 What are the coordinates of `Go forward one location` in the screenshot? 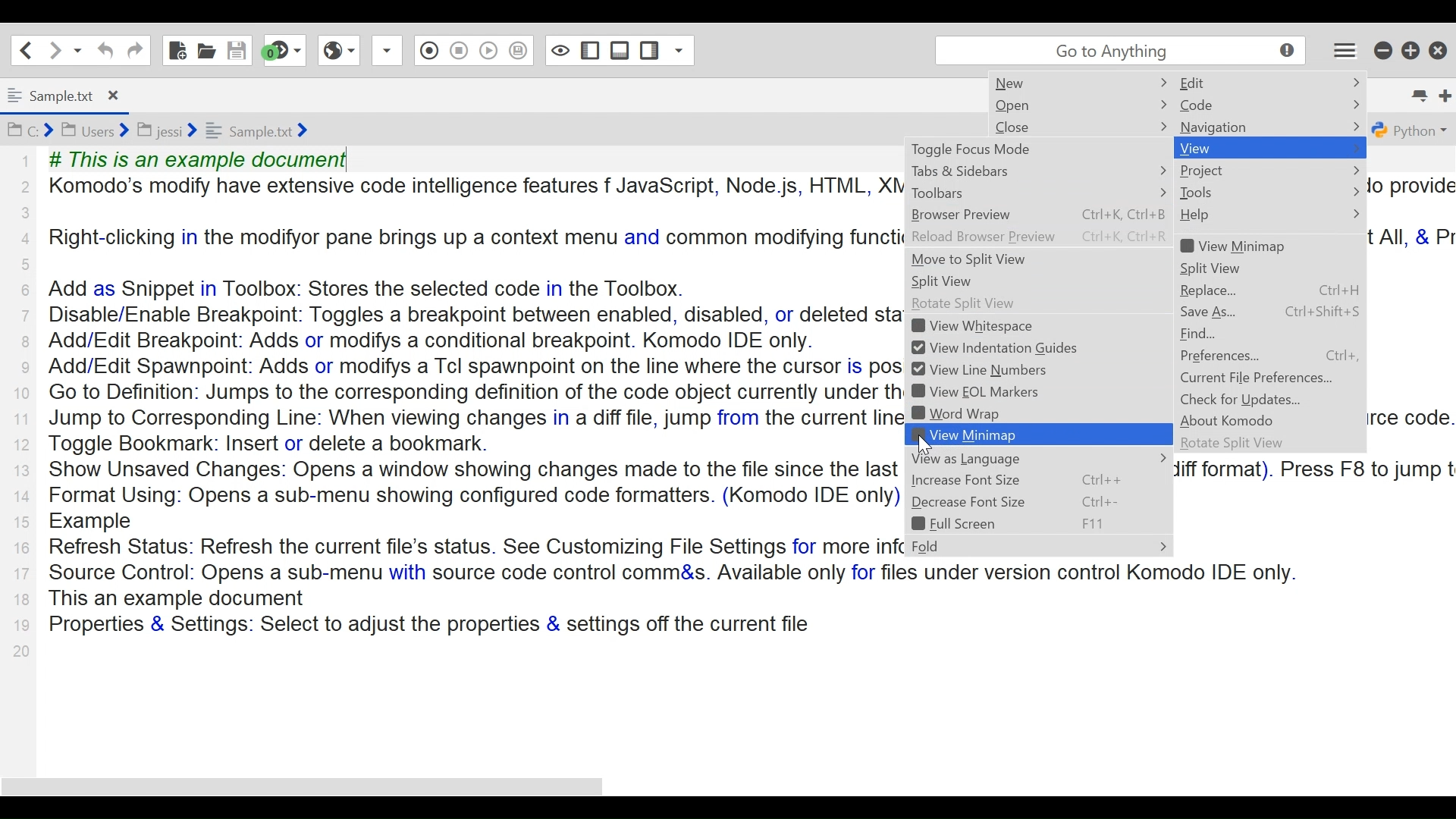 It's located at (54, 49).